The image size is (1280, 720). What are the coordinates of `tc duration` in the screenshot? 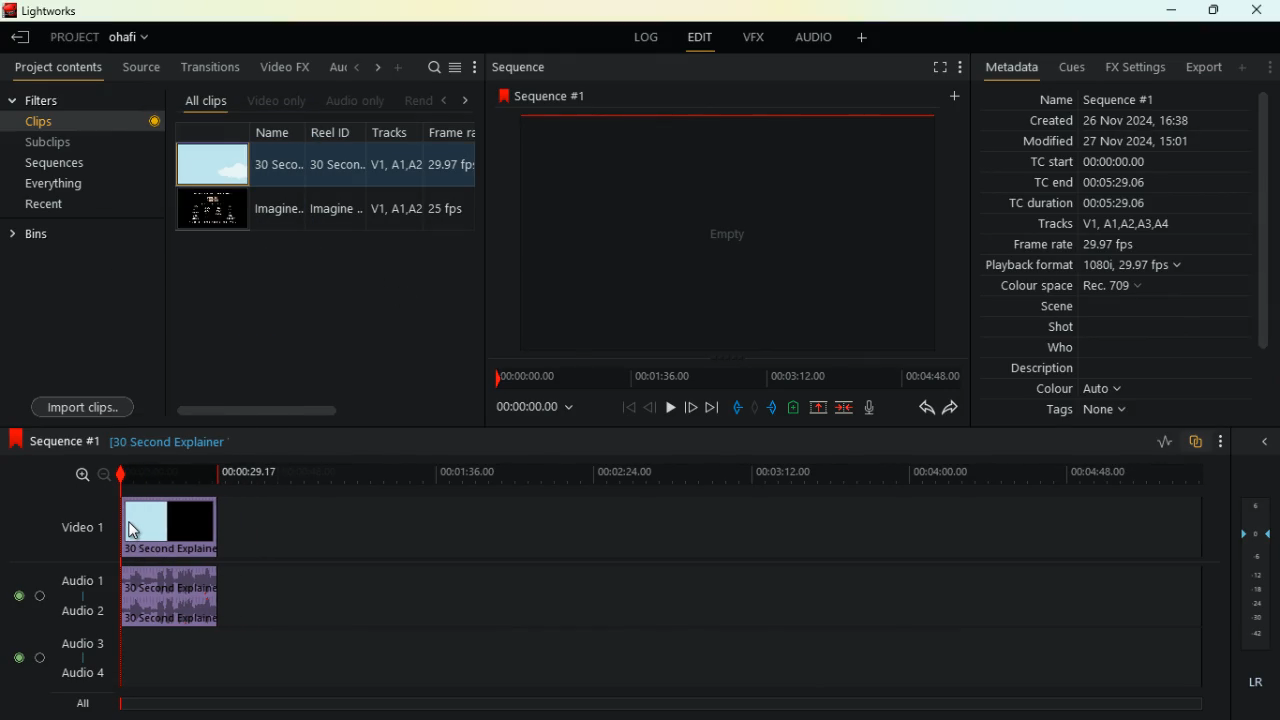 It's located at (1116, 202).